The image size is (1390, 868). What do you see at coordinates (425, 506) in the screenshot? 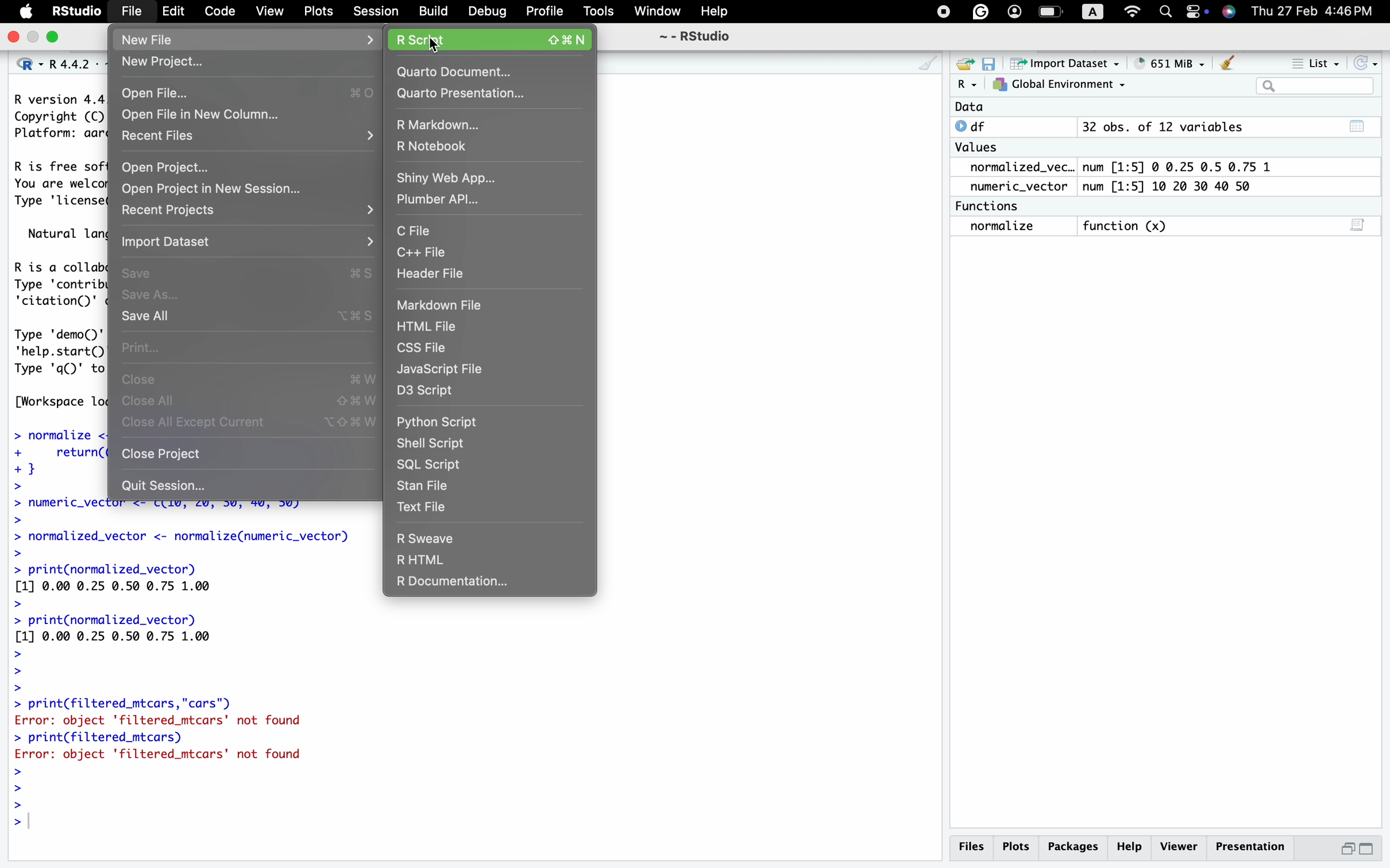
I see `Text File` at bounding box center [425, 506].